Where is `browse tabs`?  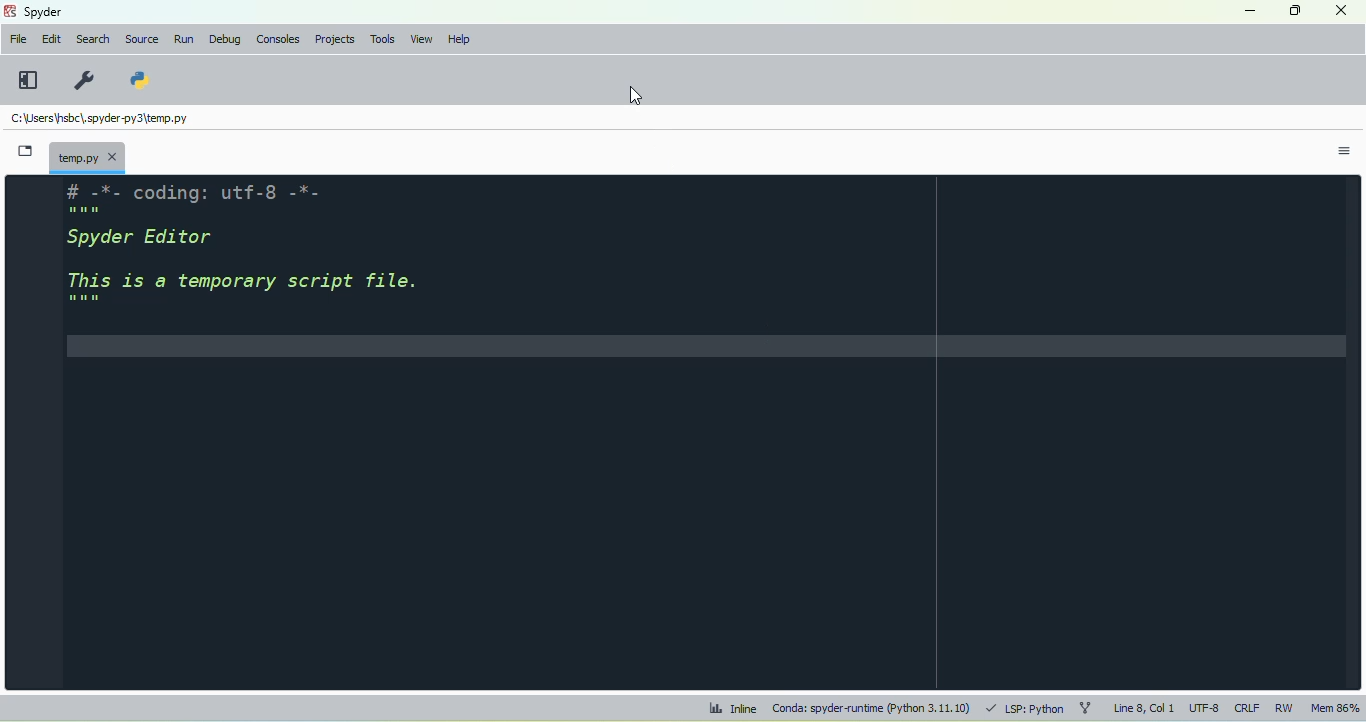 browse tabs is located at coordinates (24, 151).